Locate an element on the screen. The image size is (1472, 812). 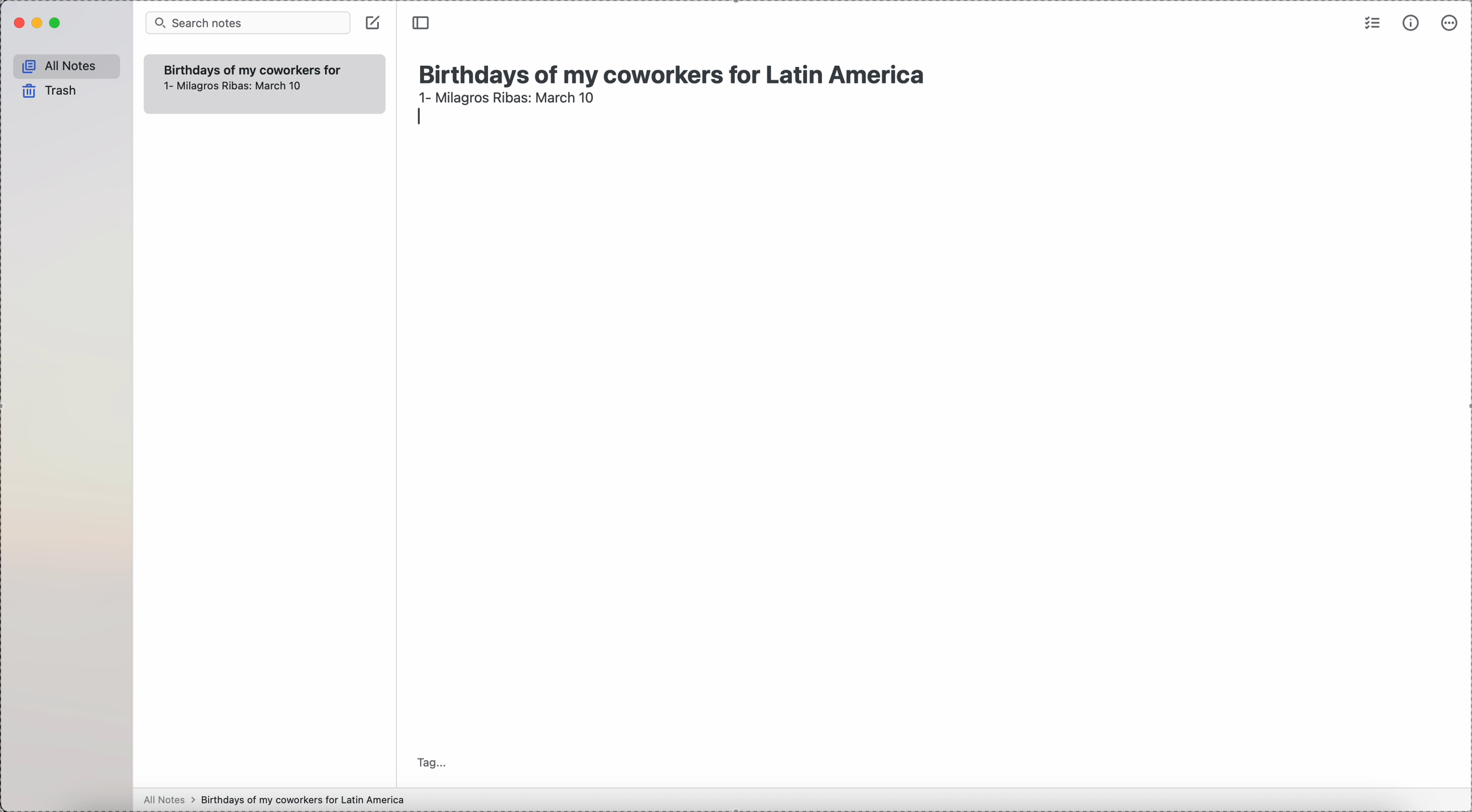
all notes > birthdays of my coworkers for Latin America is located at coordinates (277, 799).